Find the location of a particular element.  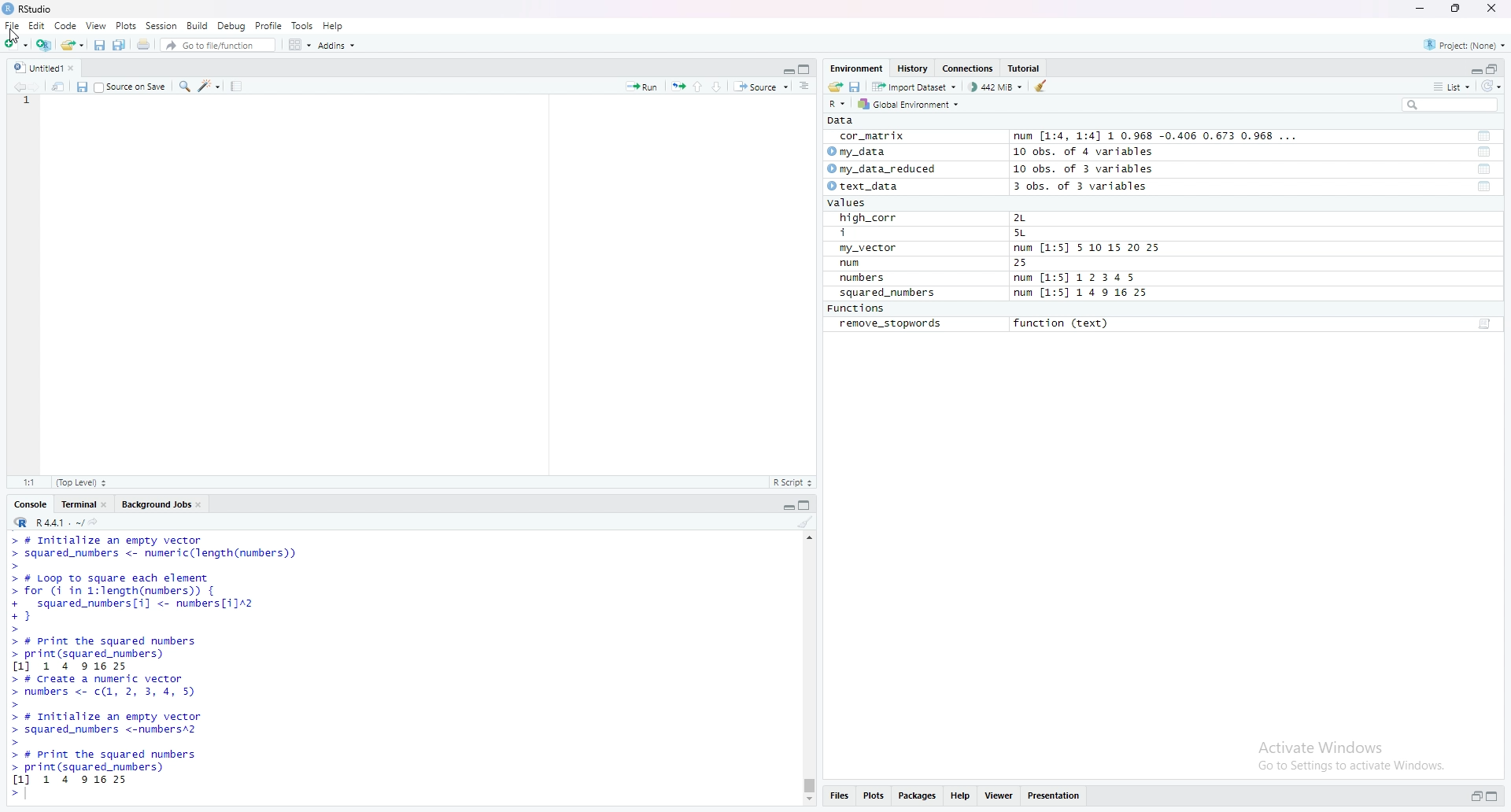

Help is located at coordinates (332, 25).